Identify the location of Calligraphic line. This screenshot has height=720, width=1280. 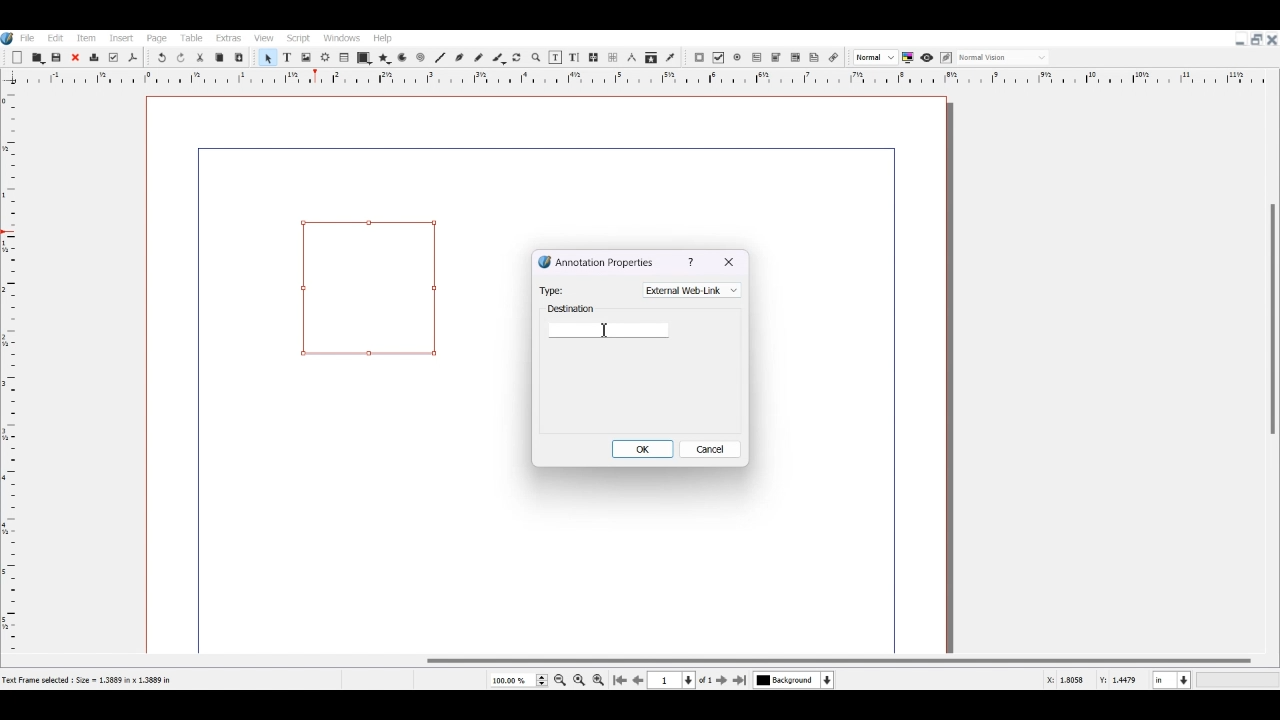
(499, 58).